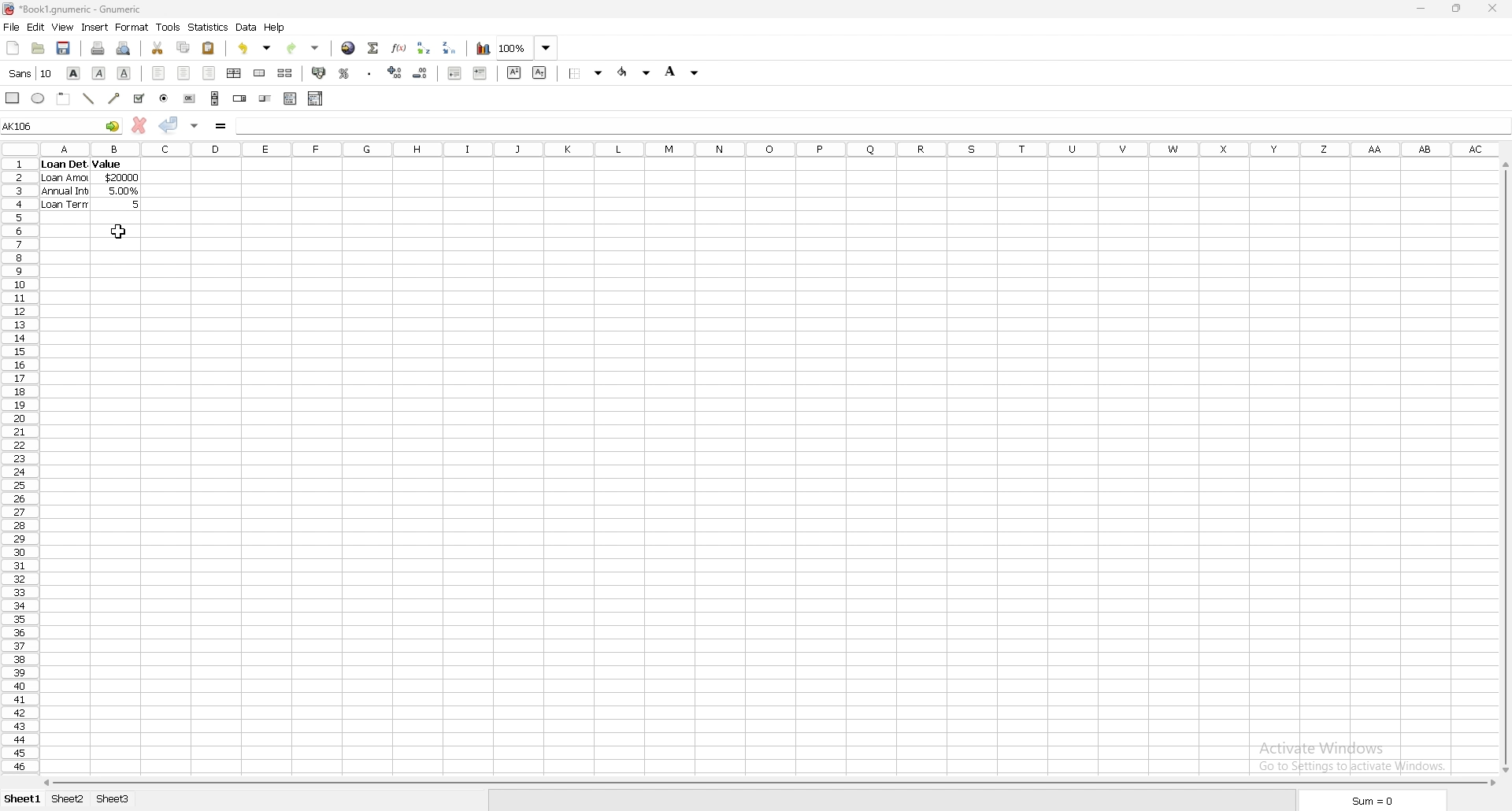 Image resolution: width=1512 pixels, height=811 pixels. What do you see at coordinates (62, 125) in the screenshot?
I see `selected cell` at bounding box center [62, 125].